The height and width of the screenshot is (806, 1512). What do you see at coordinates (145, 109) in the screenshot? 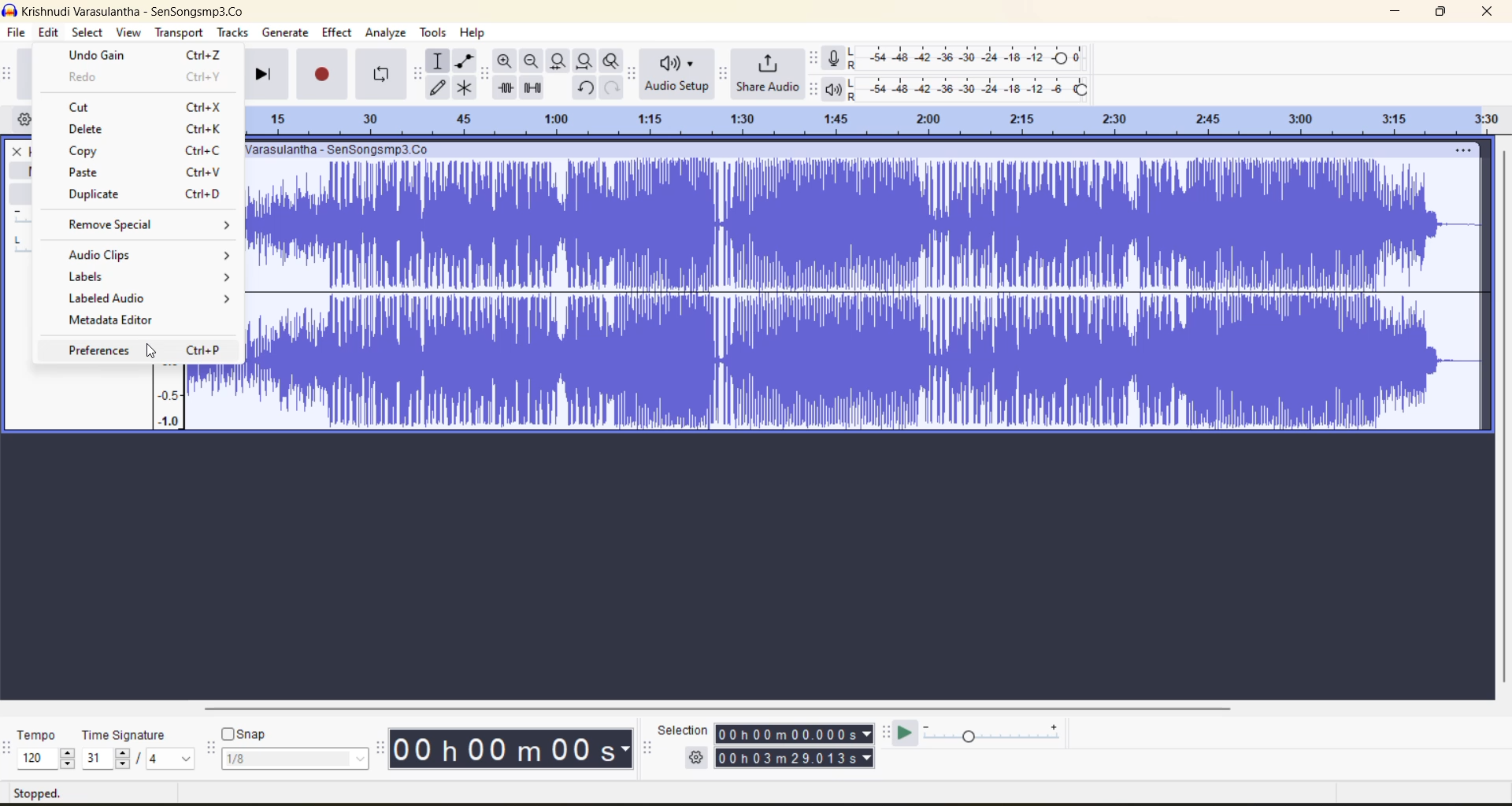
I see `cut` at bounding box center [145, 109].